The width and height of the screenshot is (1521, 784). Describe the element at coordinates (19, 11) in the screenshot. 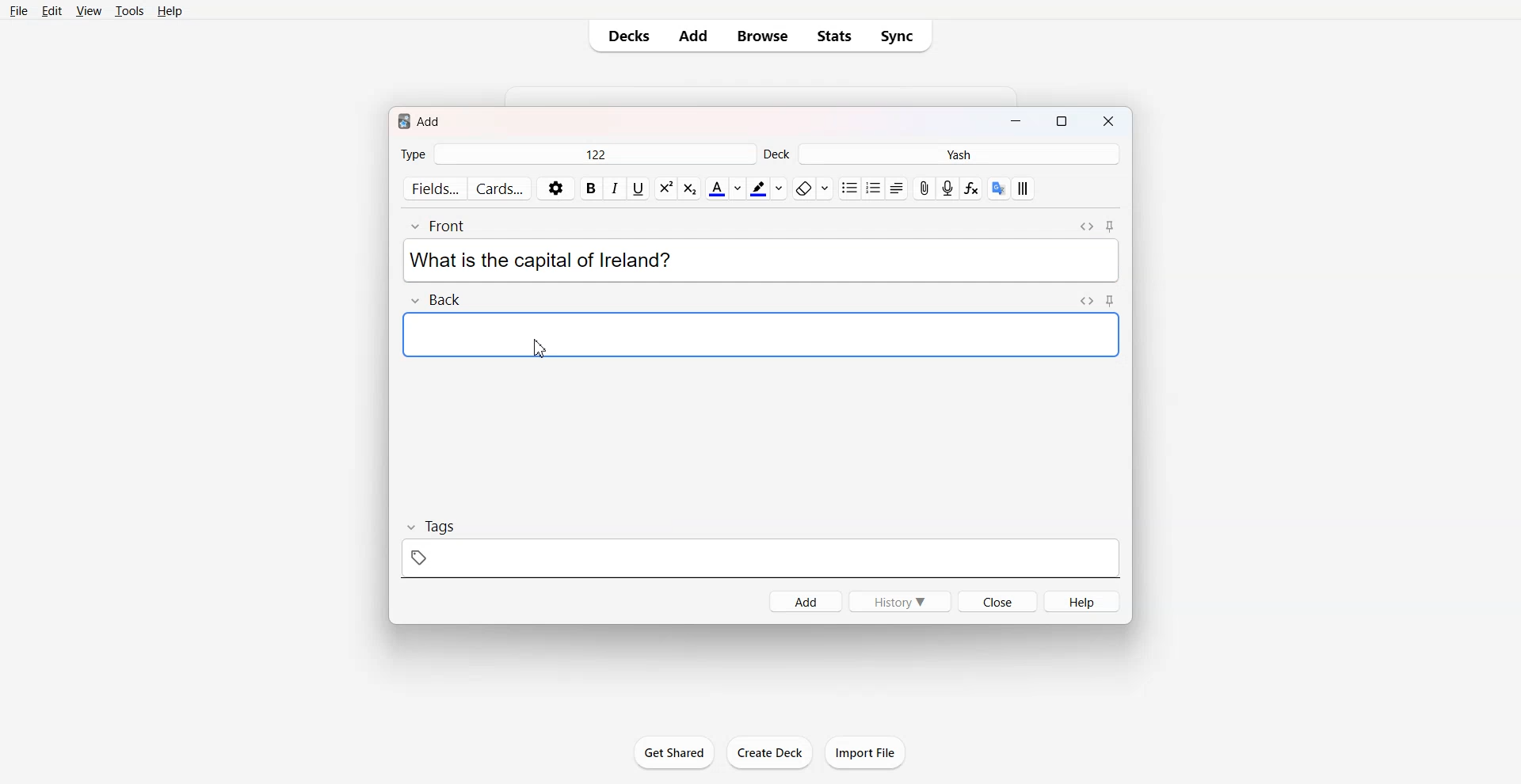

I see `File` at that location.